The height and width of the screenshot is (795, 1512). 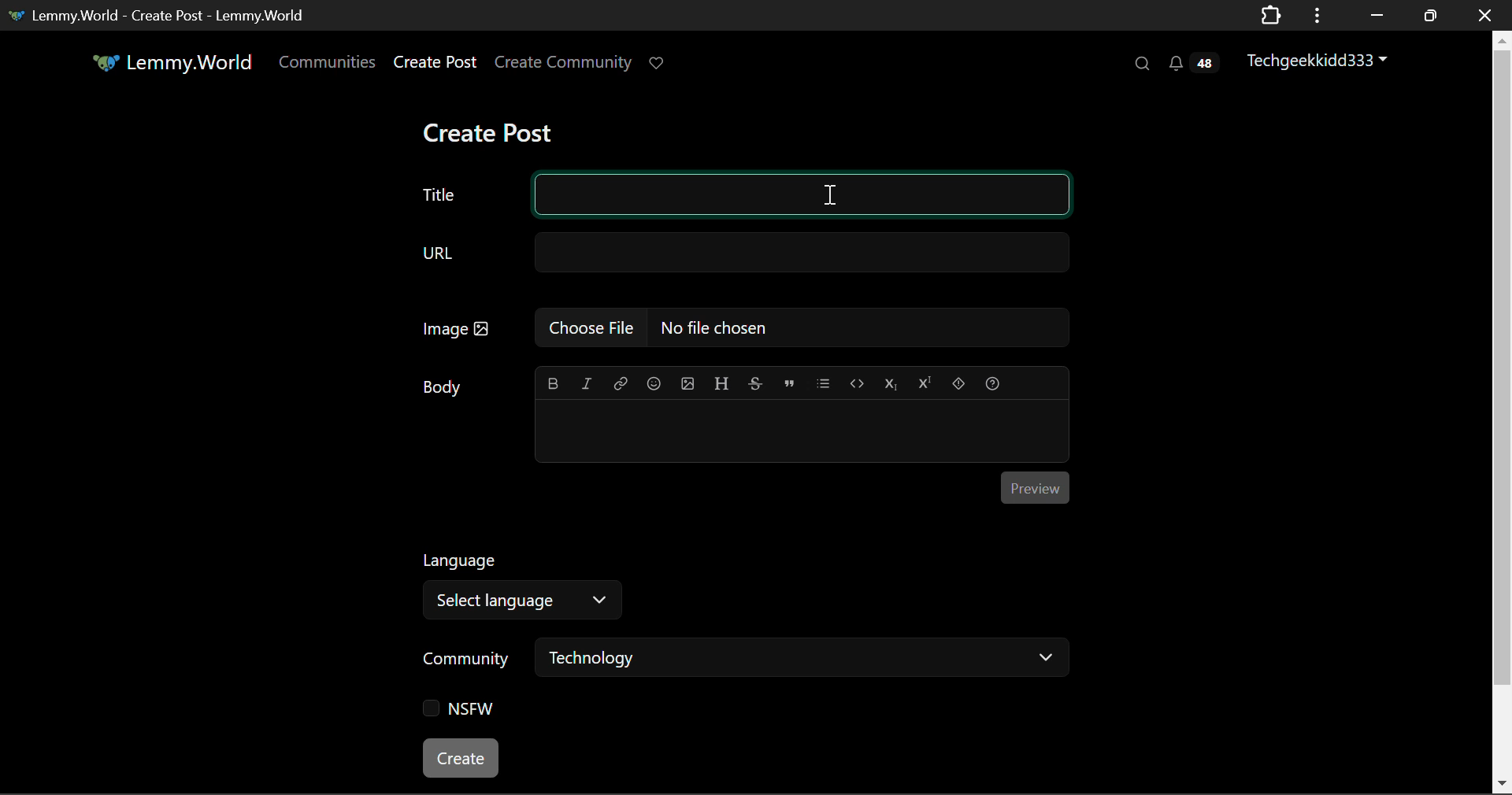 What do you see at coordinates (795, 429) in the screenshot?
I see `Post Body Textbox` at bounding box center [795, 429].